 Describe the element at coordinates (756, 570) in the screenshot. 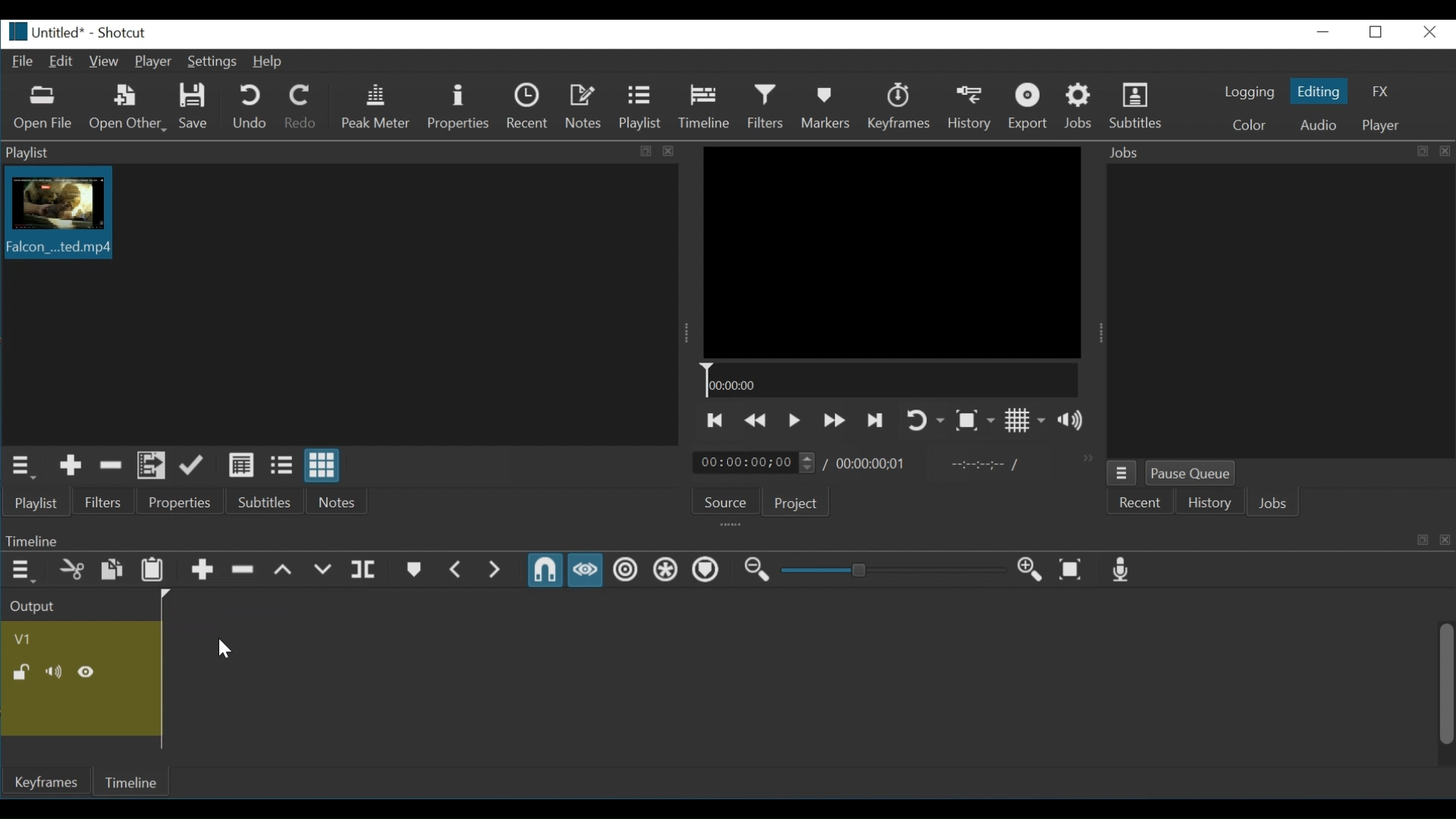

I see `Zoom timeline out` at that location.